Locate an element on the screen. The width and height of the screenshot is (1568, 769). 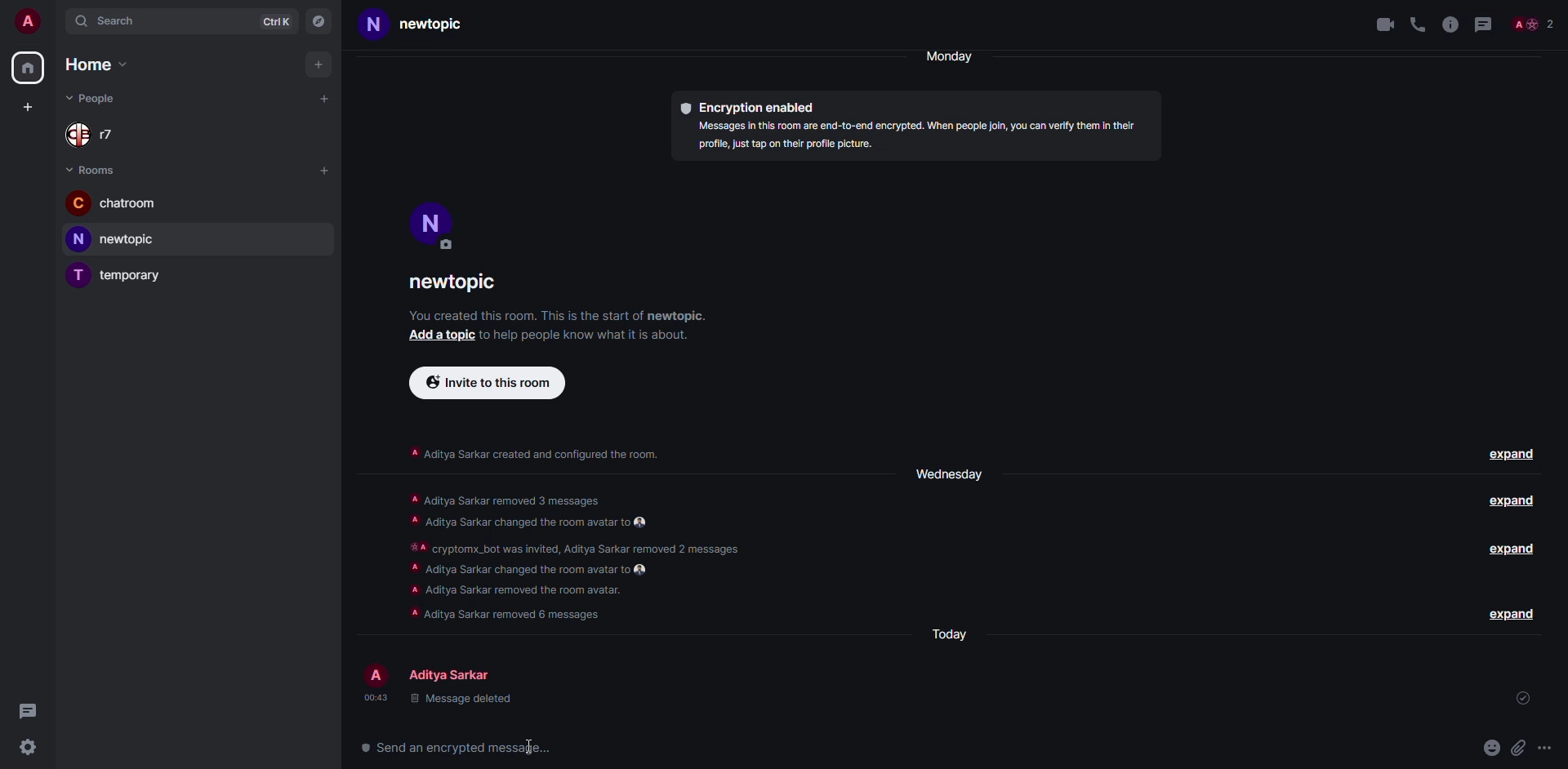
threads is located at coordinates (28, 708).